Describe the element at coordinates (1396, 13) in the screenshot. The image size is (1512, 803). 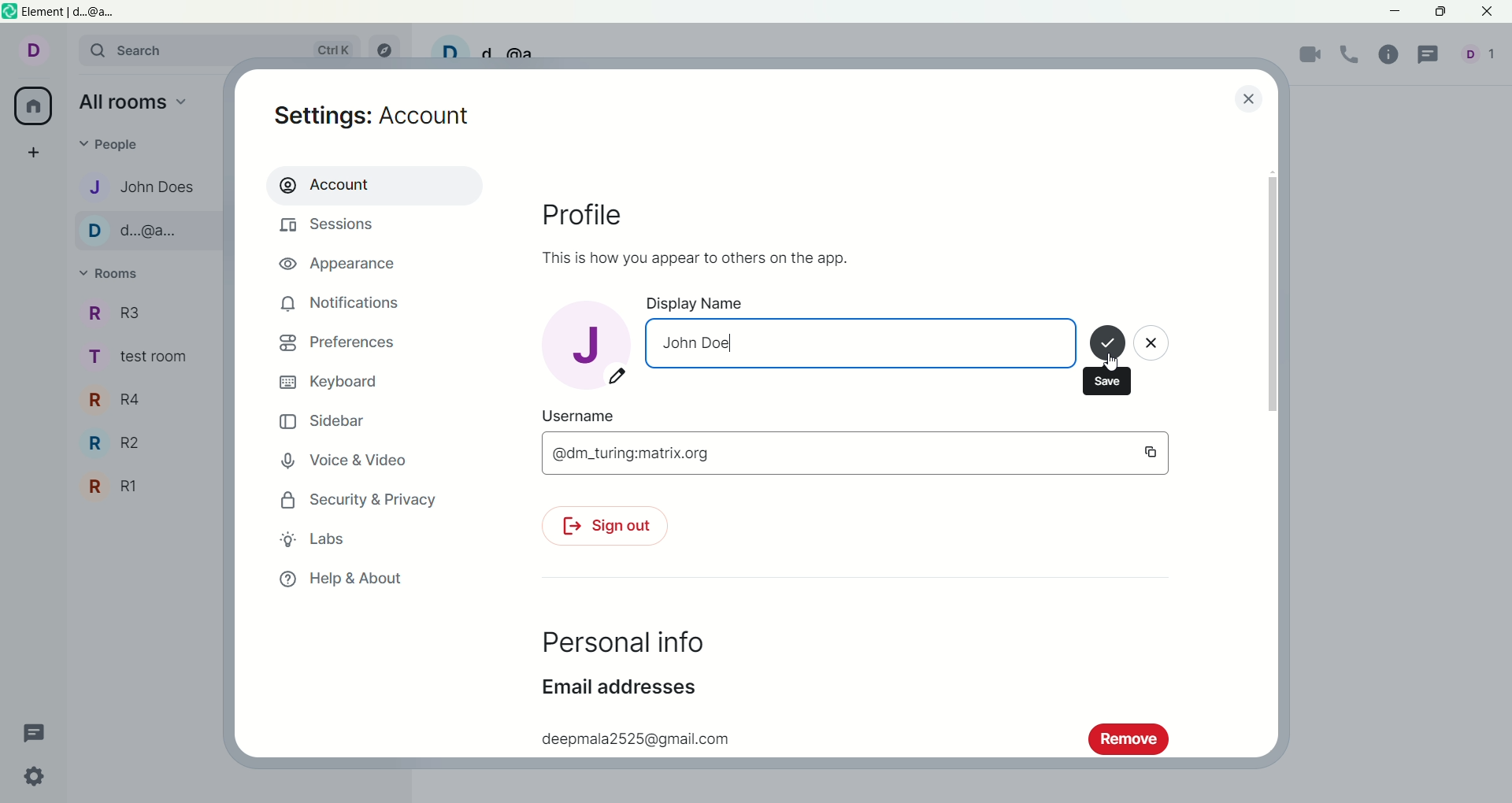
I see `minimize` at that location.